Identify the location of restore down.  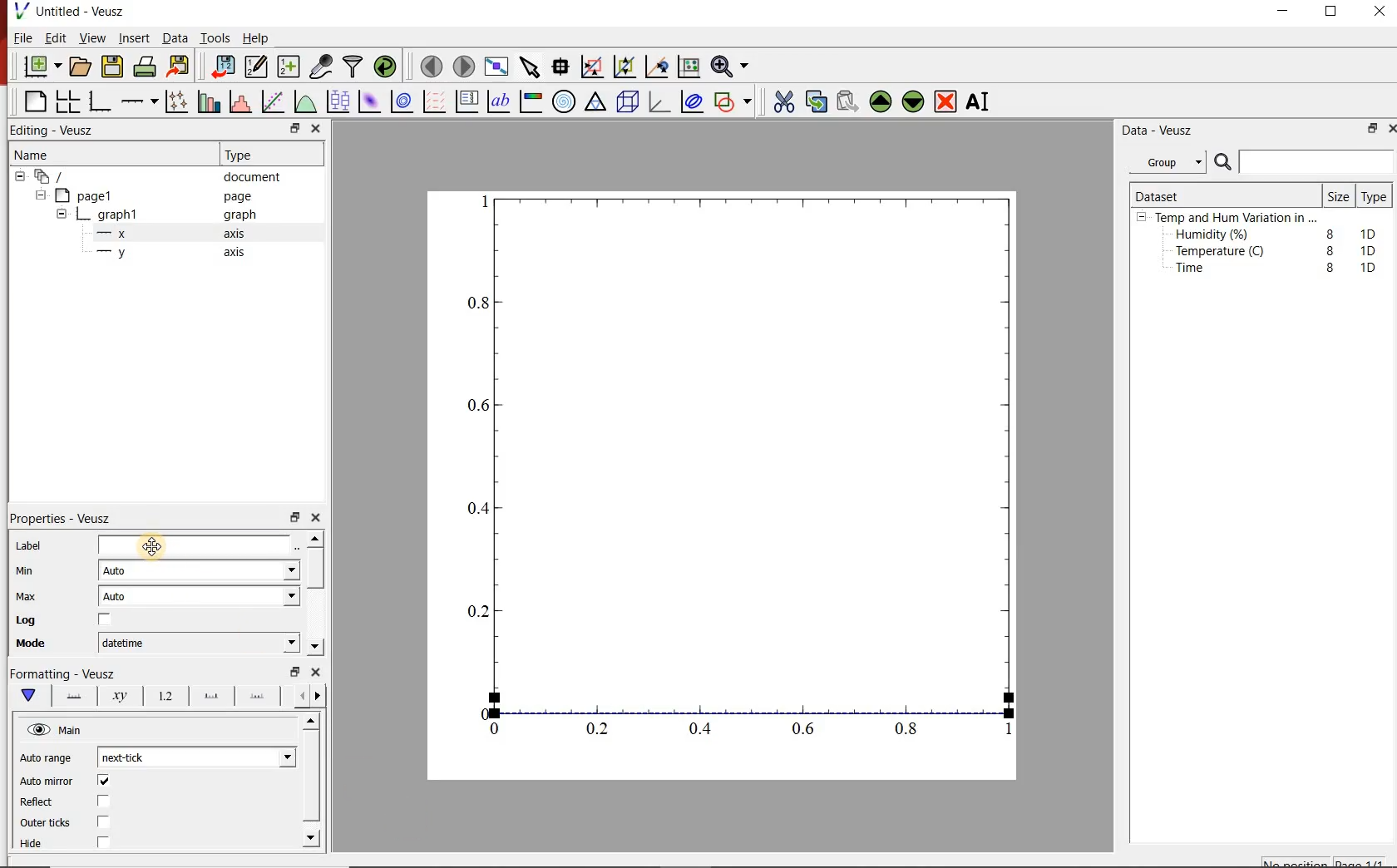
(284, 128).